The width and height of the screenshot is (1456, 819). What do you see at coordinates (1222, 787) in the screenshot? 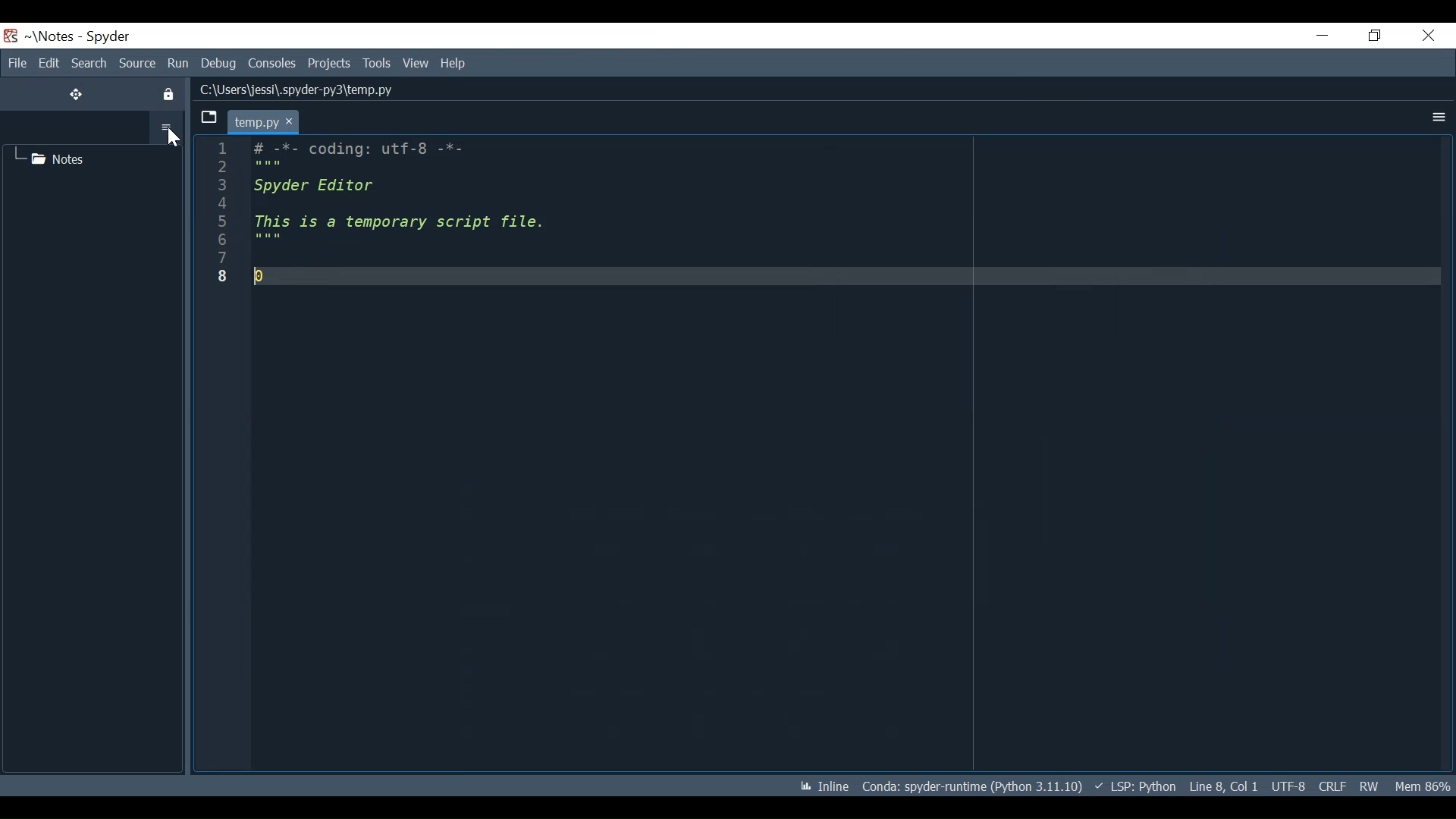
I see `Line 8, Col 1` at bounding box center [1222, 787].